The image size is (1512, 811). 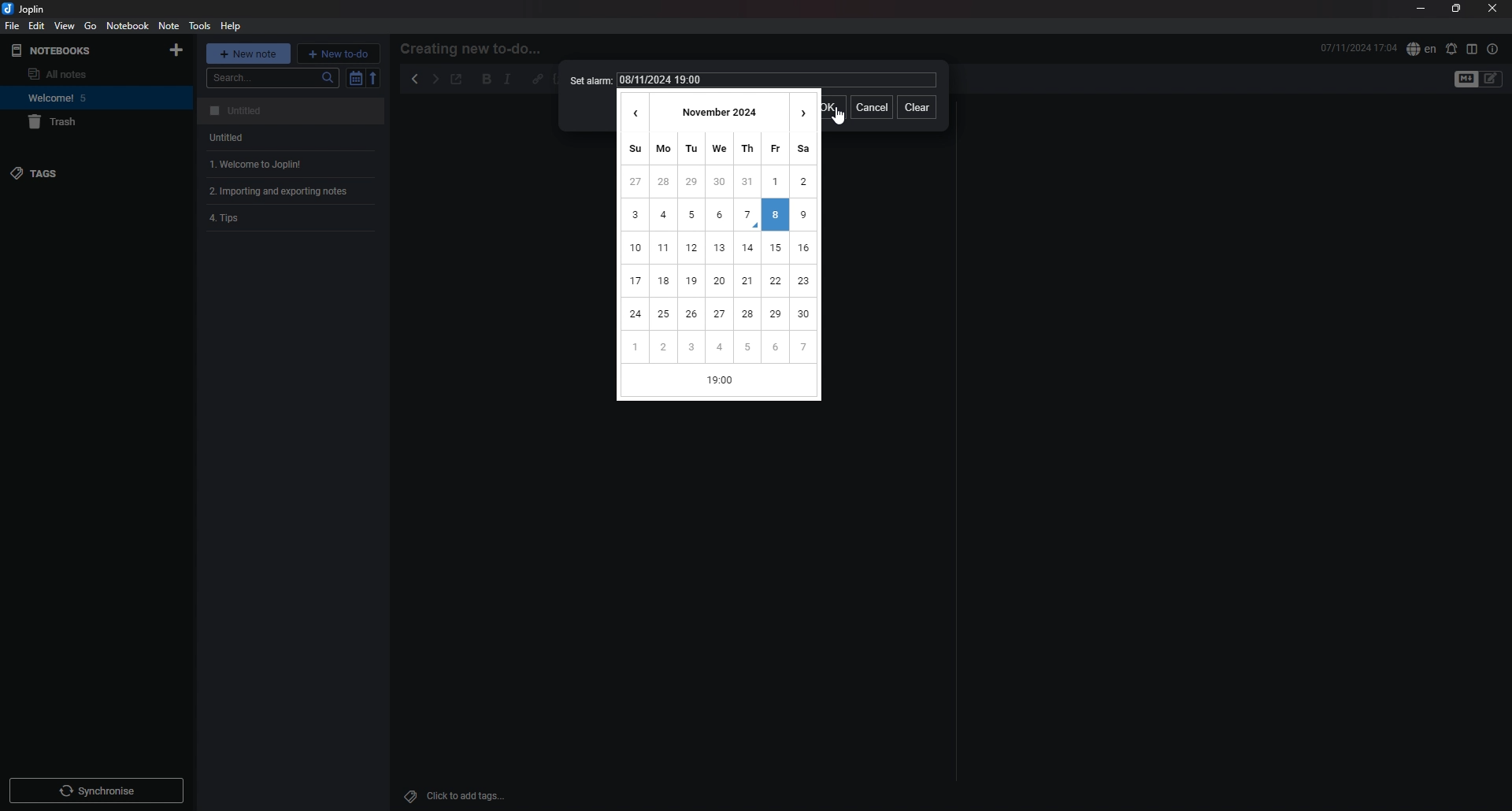 What do you see at coordinates (834, 106) in the screenshot?
I see `ok` at bounding box center [834, 106].